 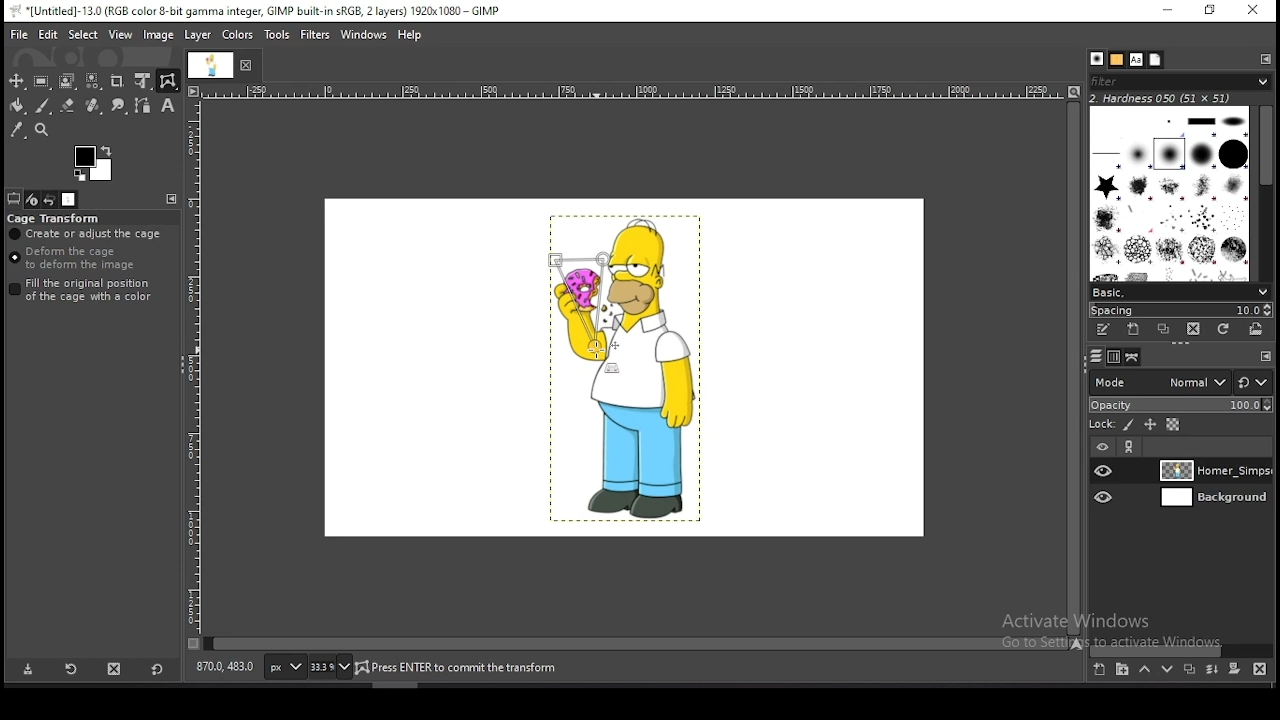 I want to click on fill the original position of the cage with a color, so click(x=86, y=290).